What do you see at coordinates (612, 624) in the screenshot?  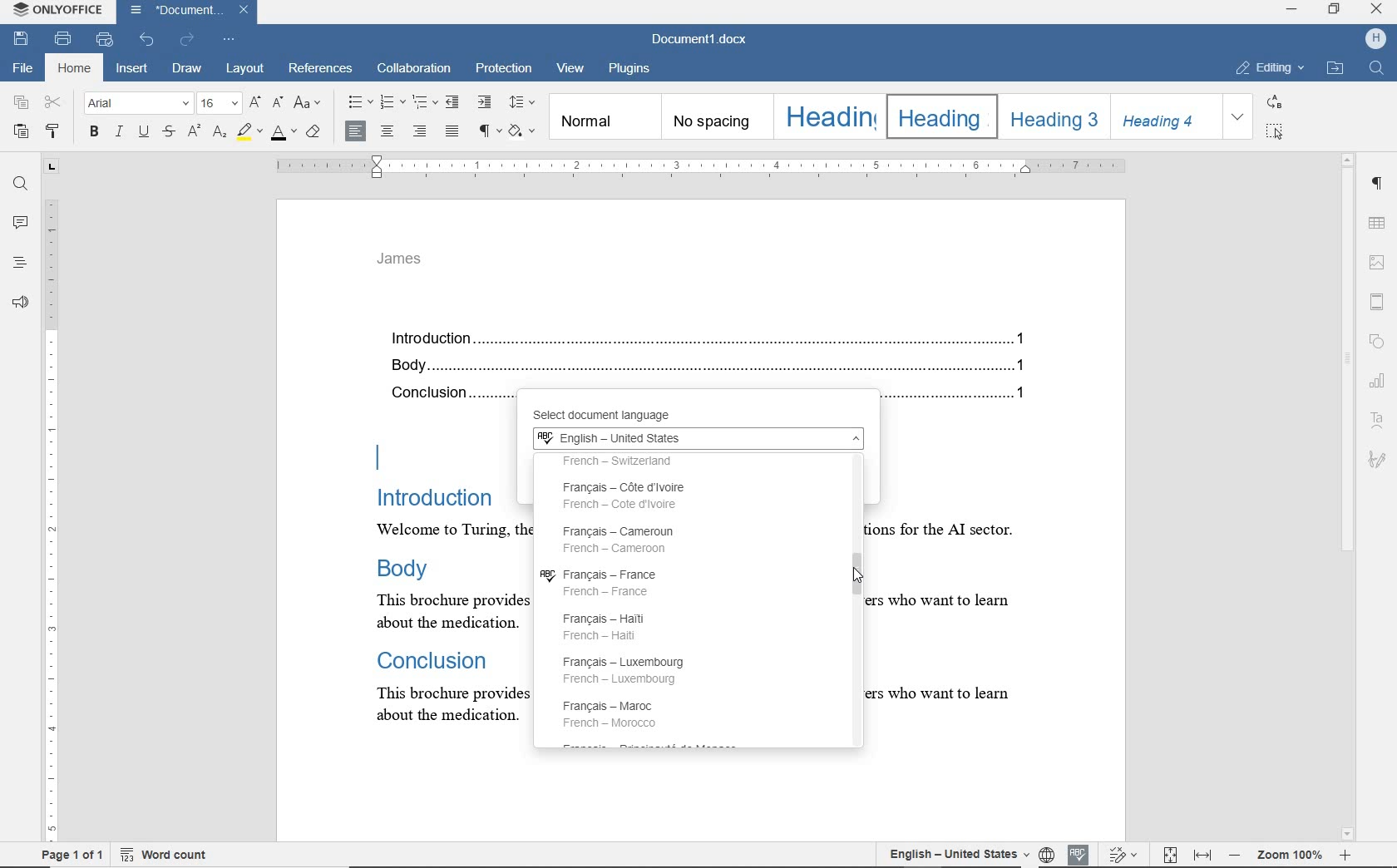 I see `François - Haiti` at bounding box center [612, 624].